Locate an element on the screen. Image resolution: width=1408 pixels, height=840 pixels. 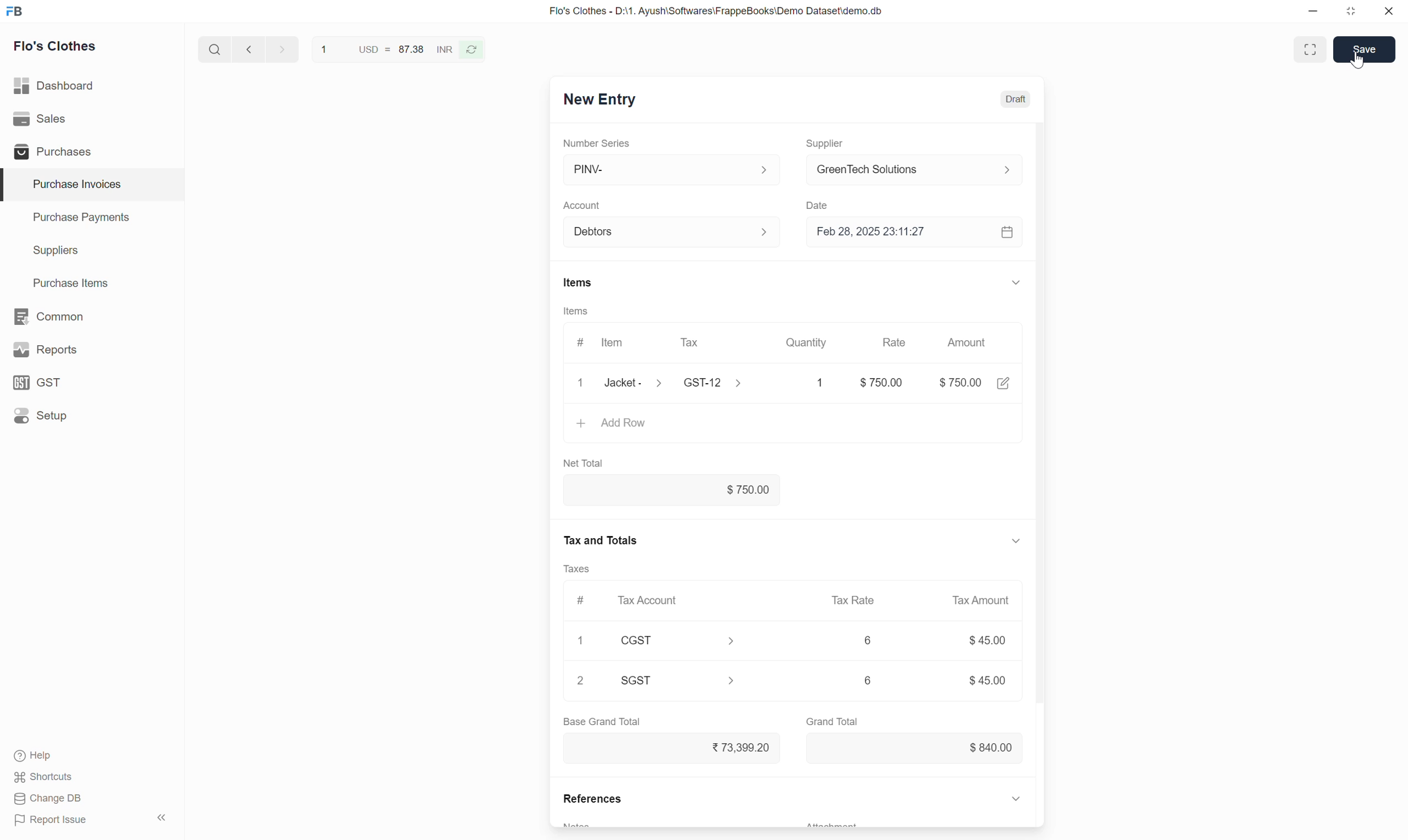
GST-12 is located at coordinates (716, 382).